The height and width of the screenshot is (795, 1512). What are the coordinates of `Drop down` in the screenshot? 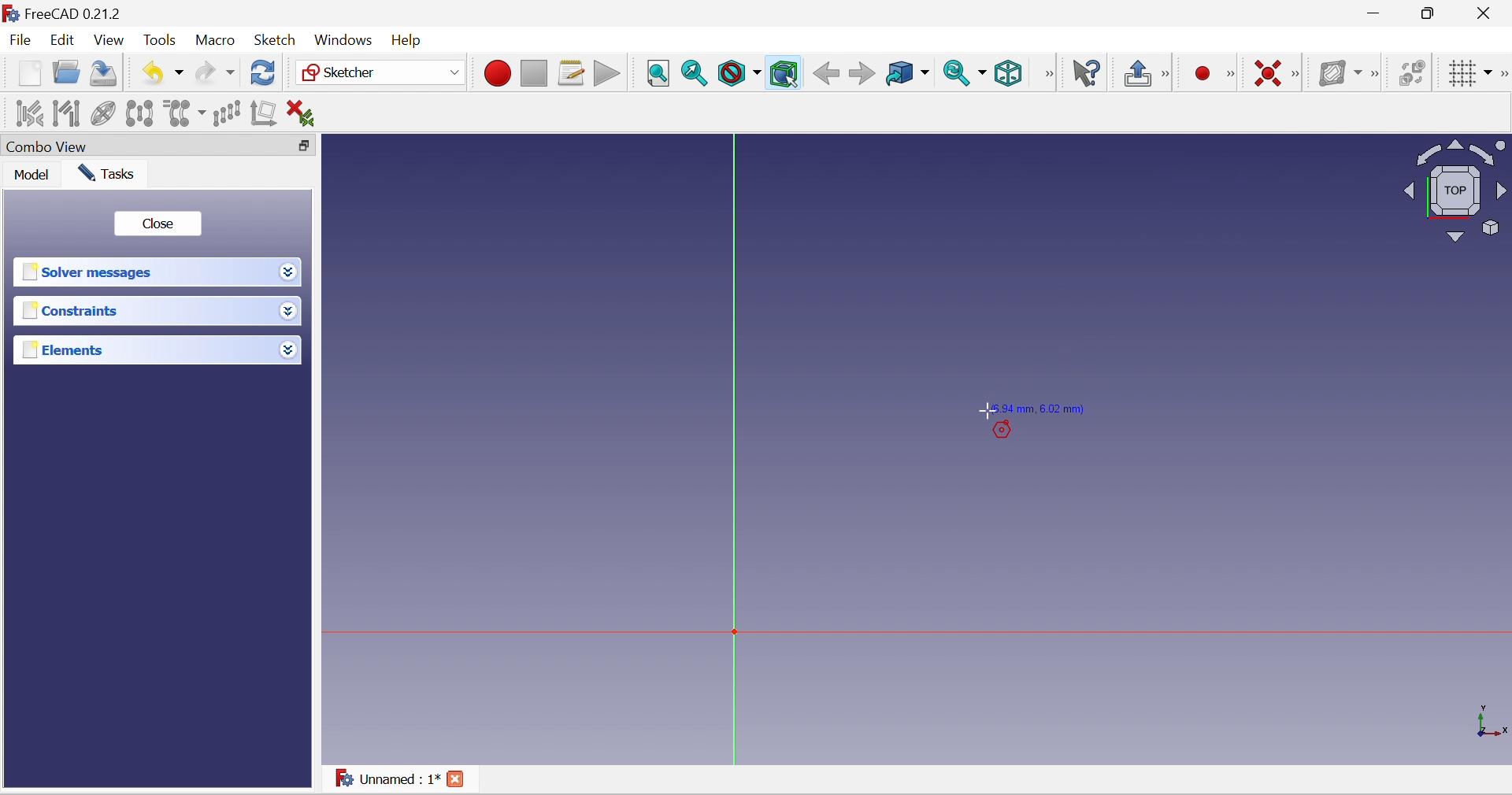 It's located at (289, 312).